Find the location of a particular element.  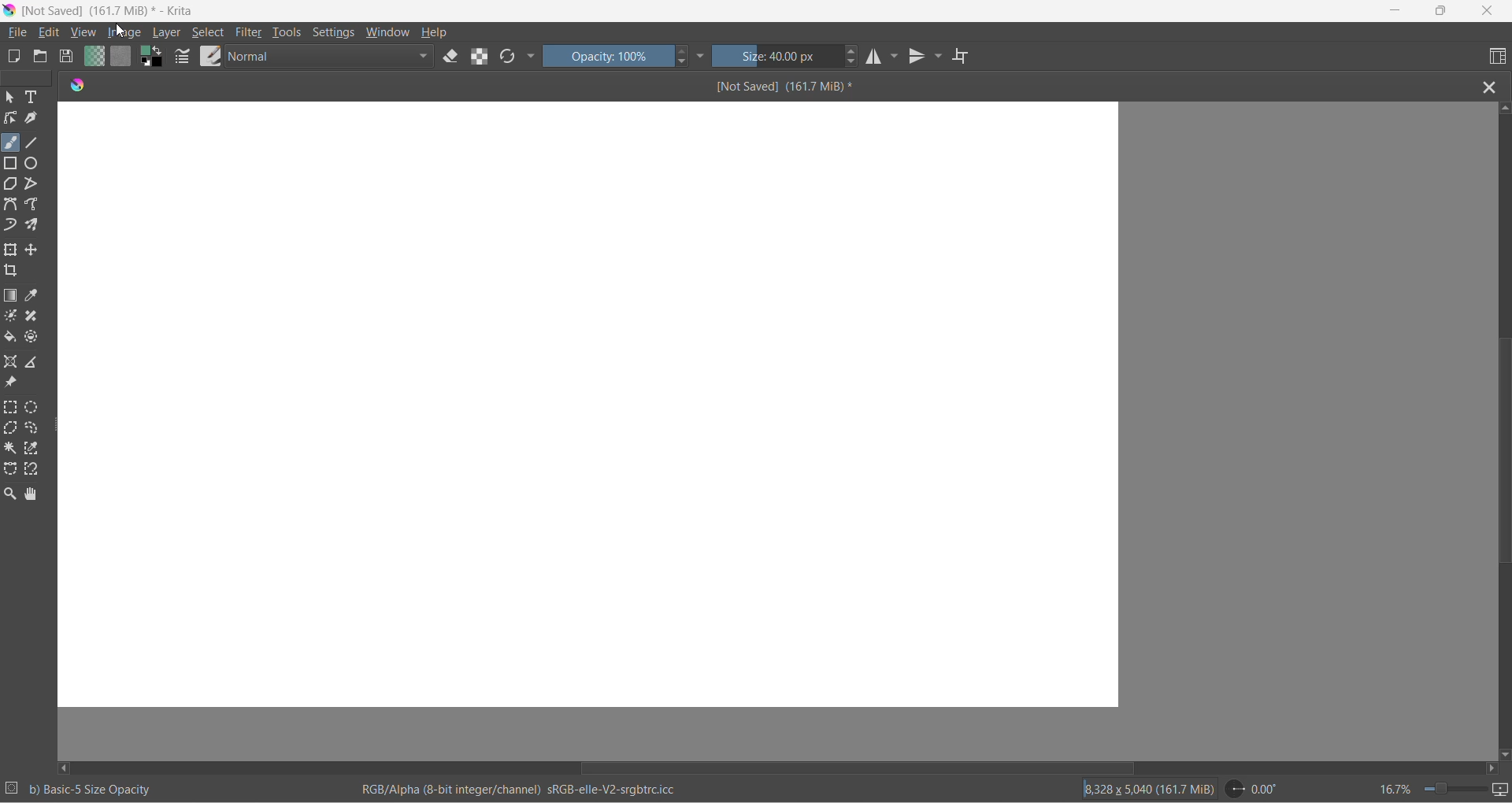

preserve alpha is located at coordinates (483, 56).